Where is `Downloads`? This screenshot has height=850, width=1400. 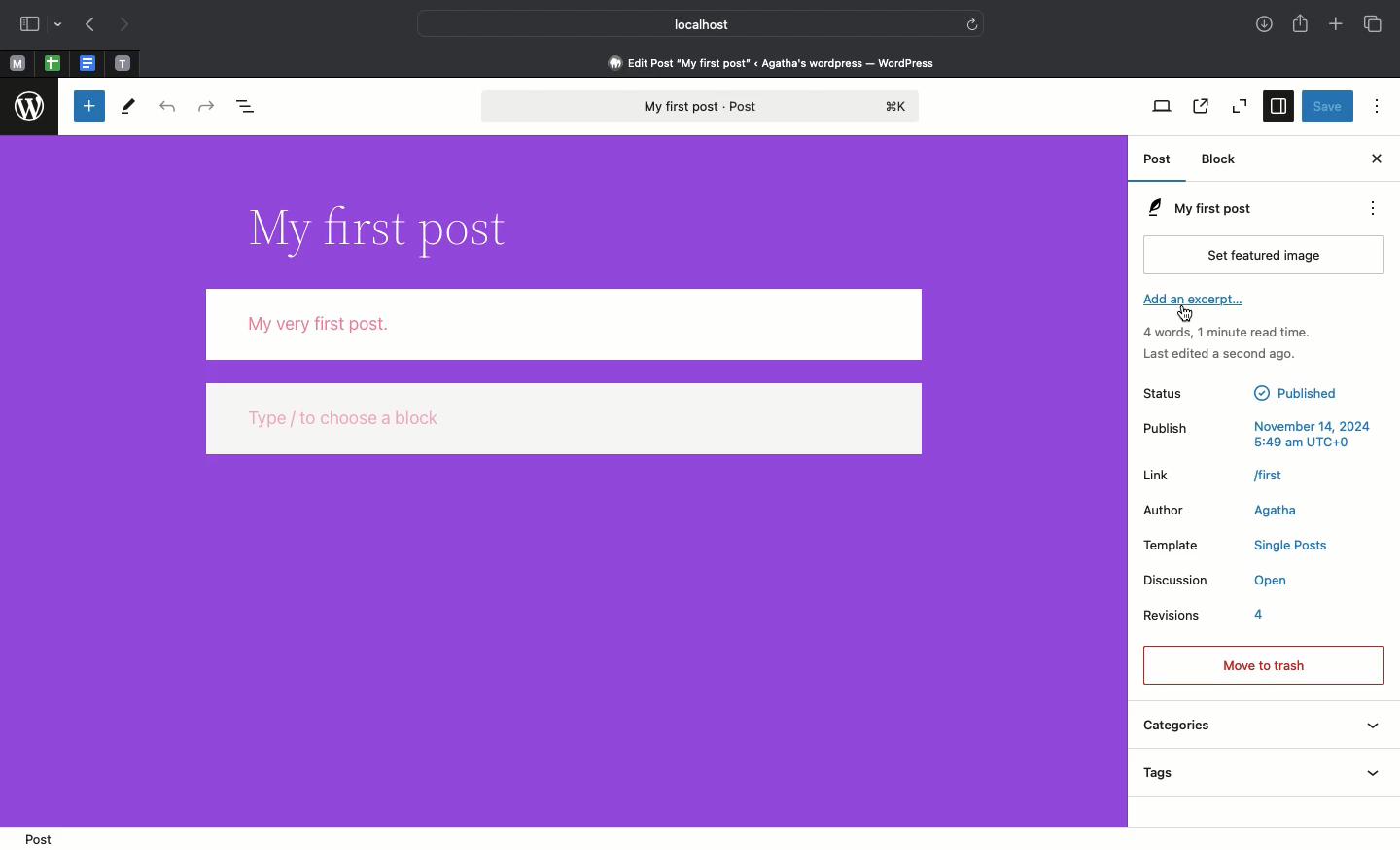 Downloads is located at coordinates (1263, 25).